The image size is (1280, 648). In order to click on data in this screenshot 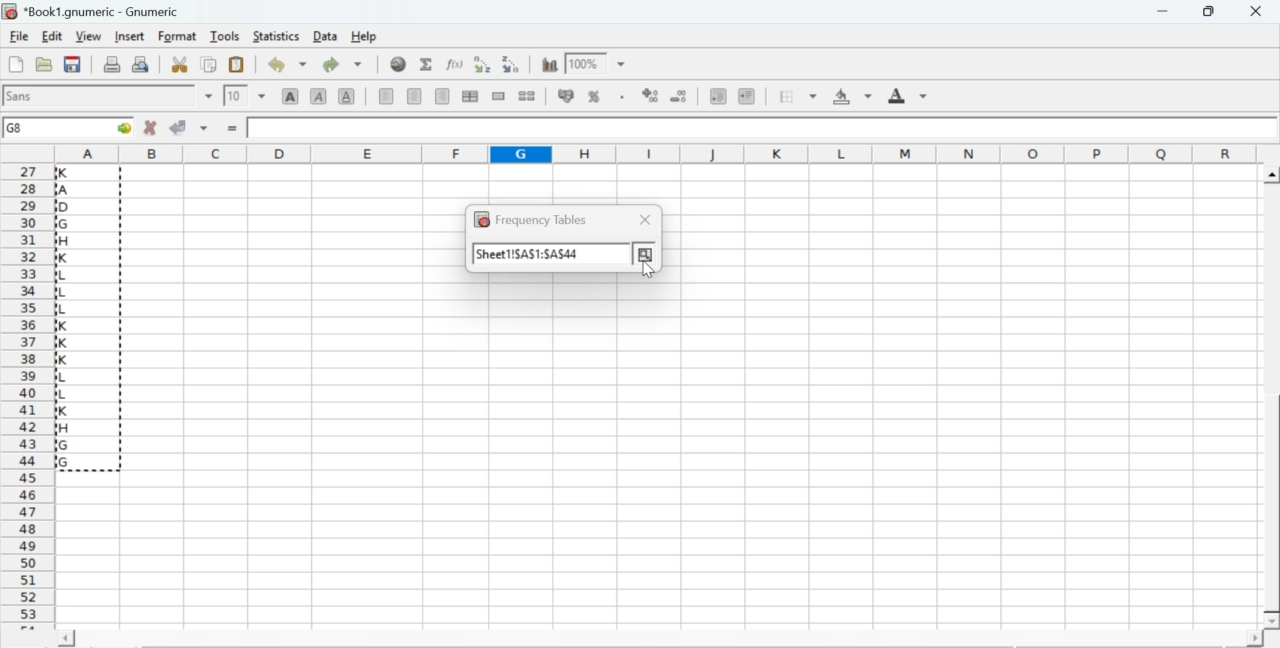, I will do `click(327, 35)`.